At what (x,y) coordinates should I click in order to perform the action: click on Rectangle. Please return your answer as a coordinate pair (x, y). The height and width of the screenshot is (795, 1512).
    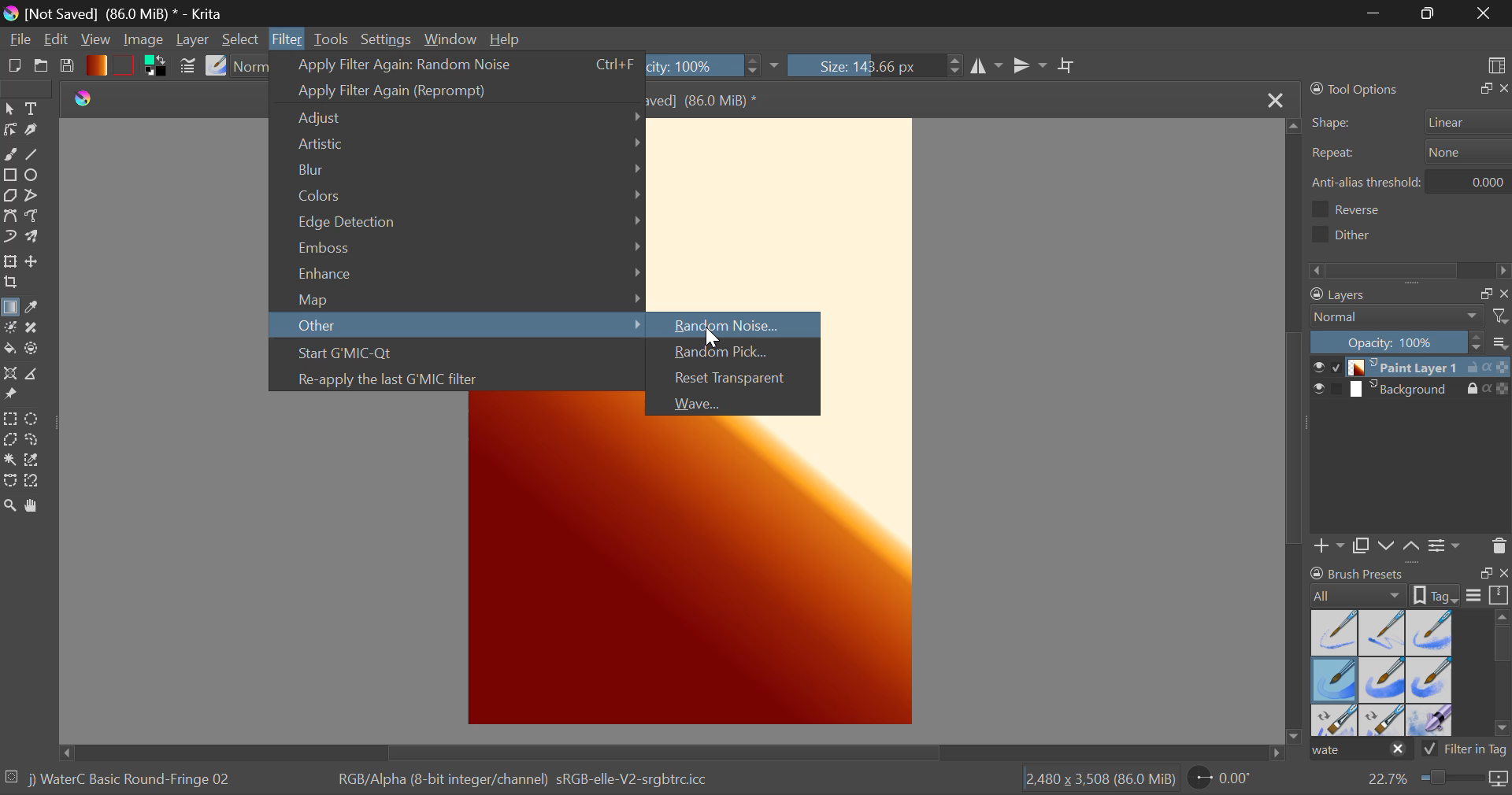
    Looking at the image, I should click on (9, 175).